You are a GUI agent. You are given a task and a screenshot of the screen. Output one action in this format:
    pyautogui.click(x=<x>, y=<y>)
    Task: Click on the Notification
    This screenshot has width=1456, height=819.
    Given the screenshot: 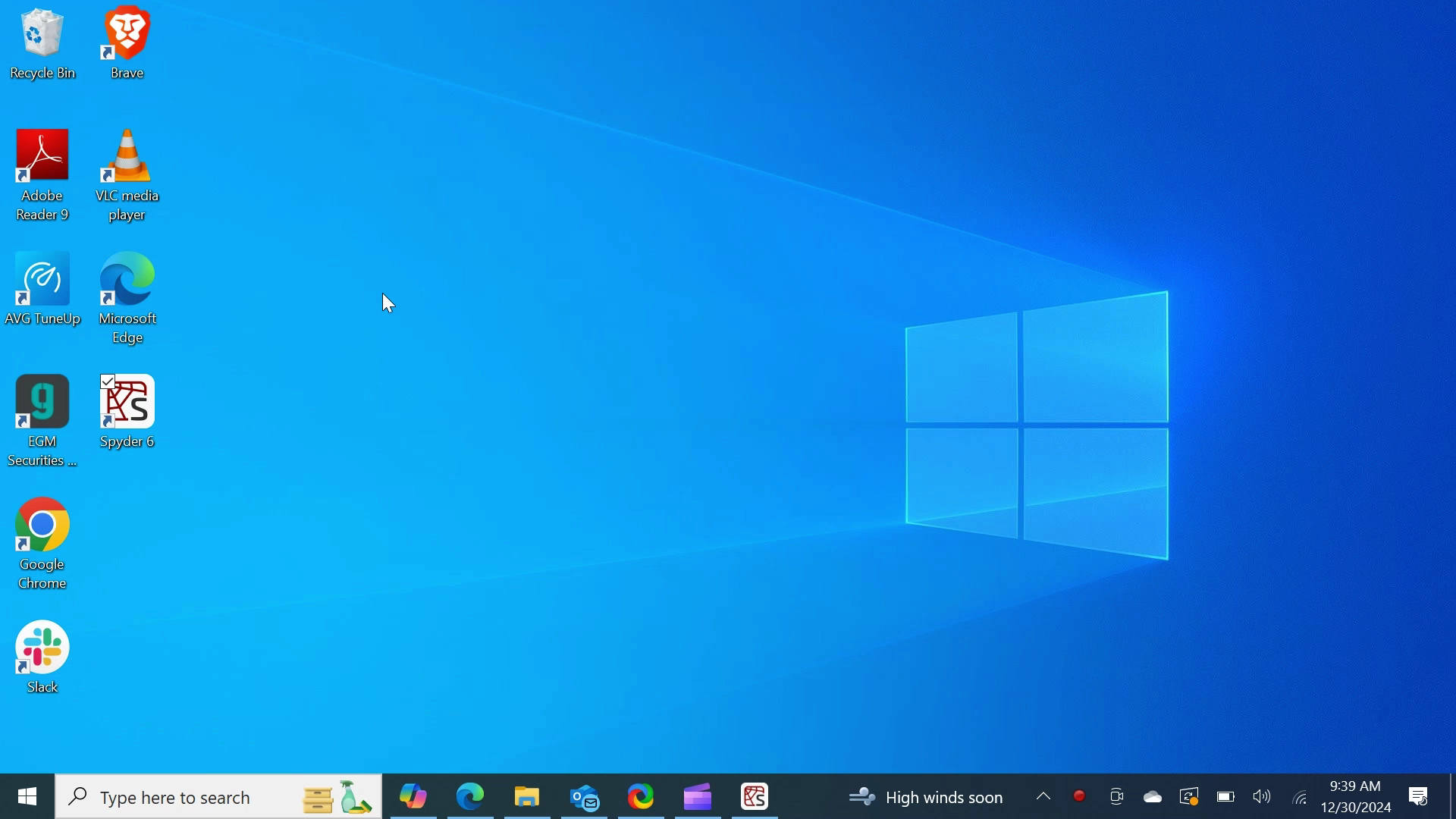 What is the action you would take?
    pyautogui.click(x=1420, y=797)
    